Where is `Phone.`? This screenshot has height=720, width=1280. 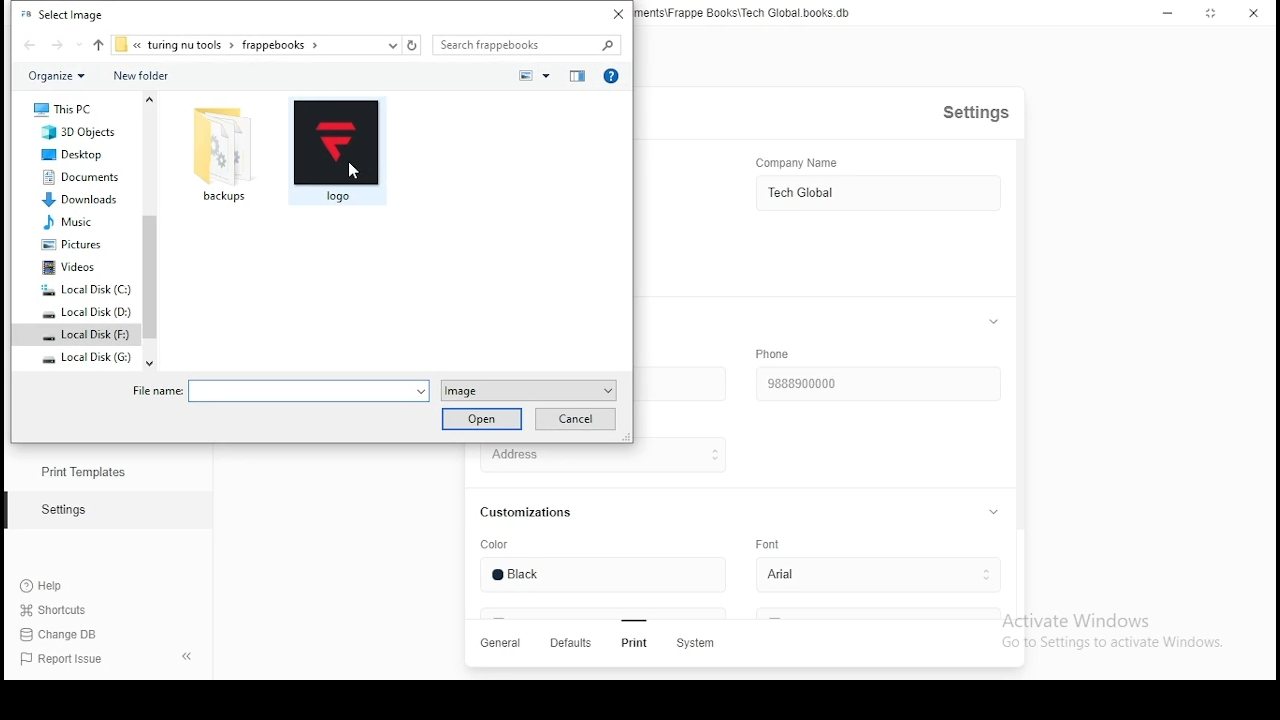
Phone. is located at coordinates (780, 353).